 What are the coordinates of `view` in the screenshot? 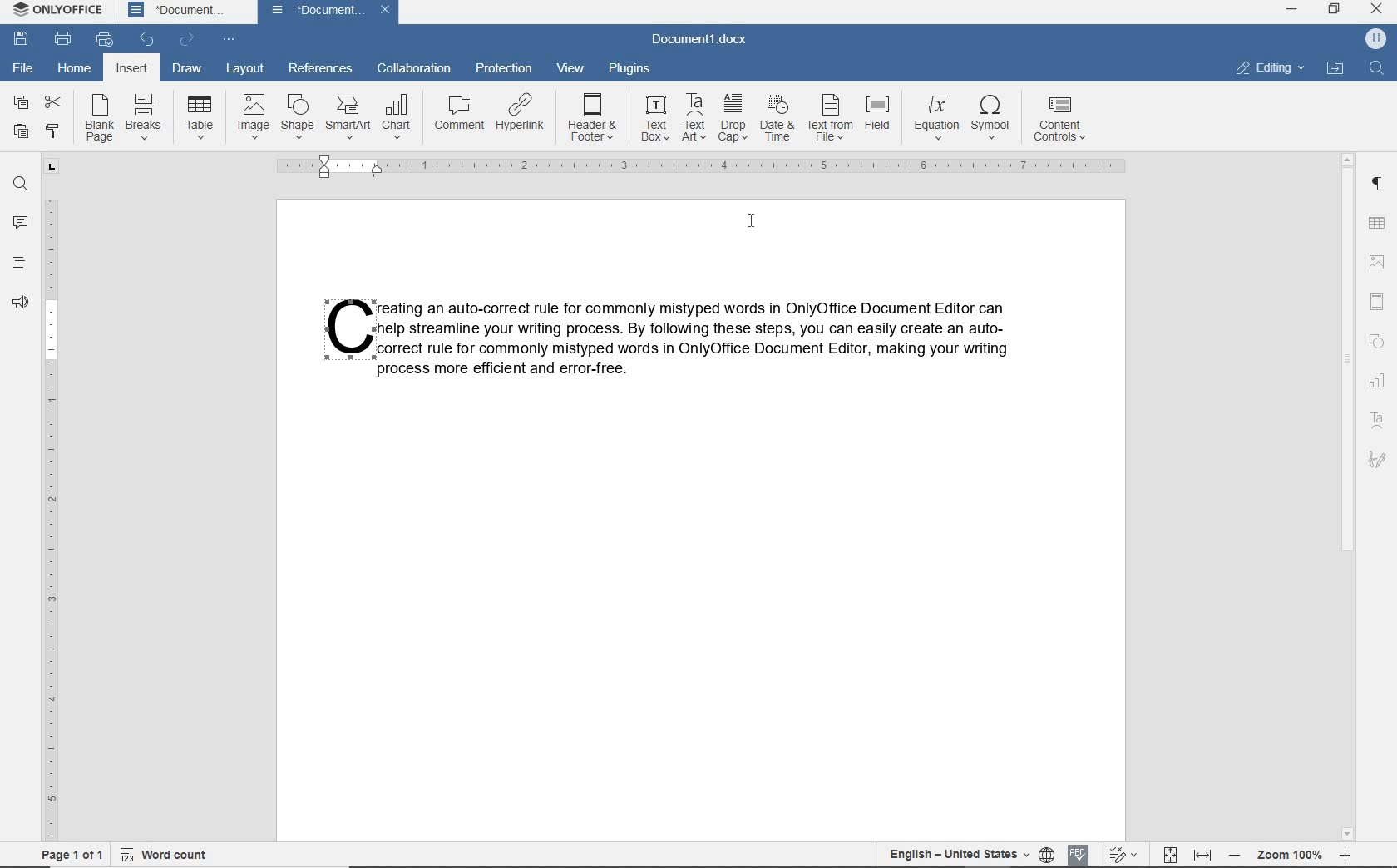 It's located at (571, 70).